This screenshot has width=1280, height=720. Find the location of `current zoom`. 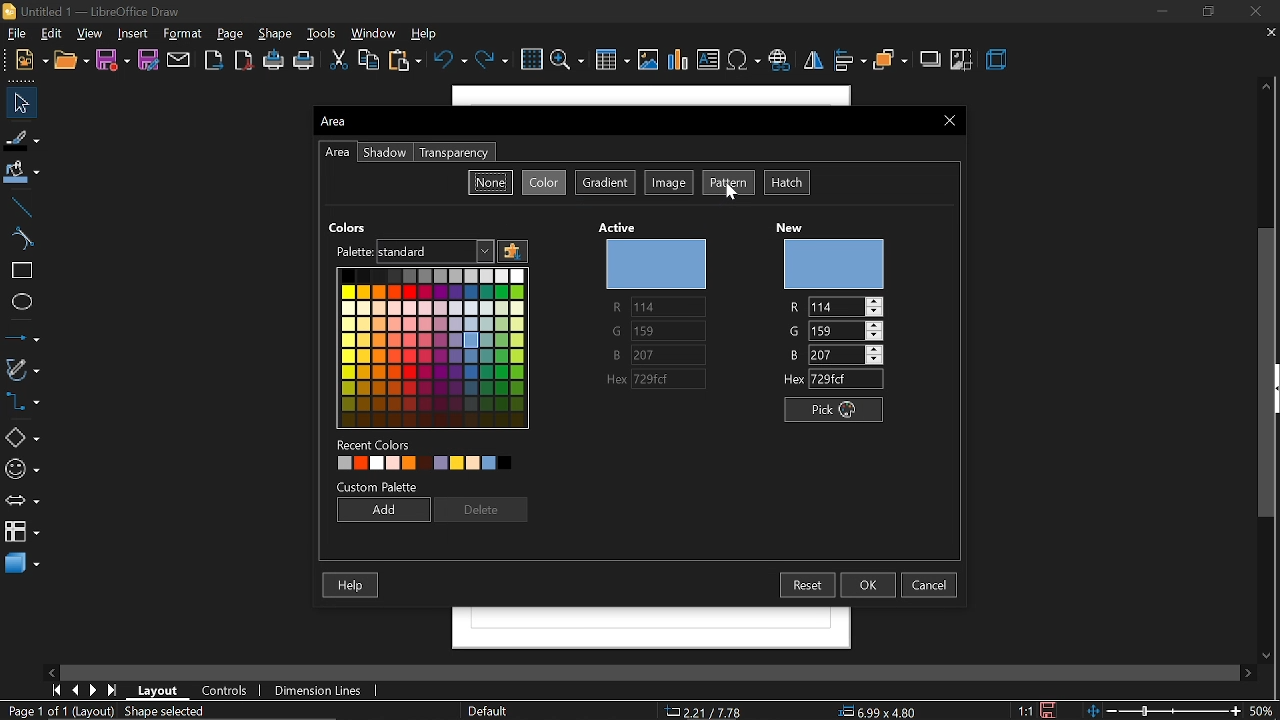

current zoom is located at coordinates (1266, 711).